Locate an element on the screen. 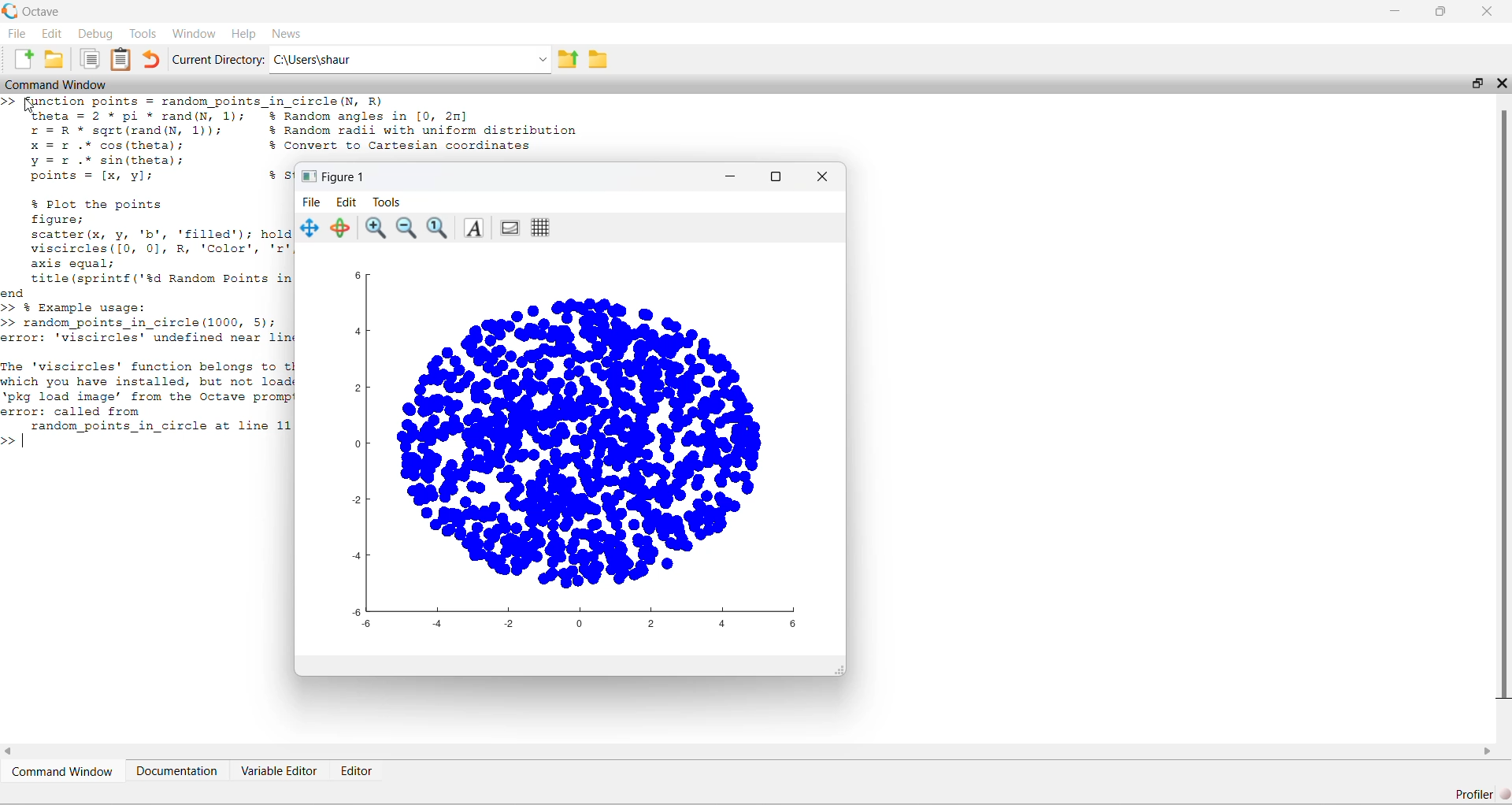 This screenshot has width=1512, height=805. minimize is located at coordinates (1395, 10).